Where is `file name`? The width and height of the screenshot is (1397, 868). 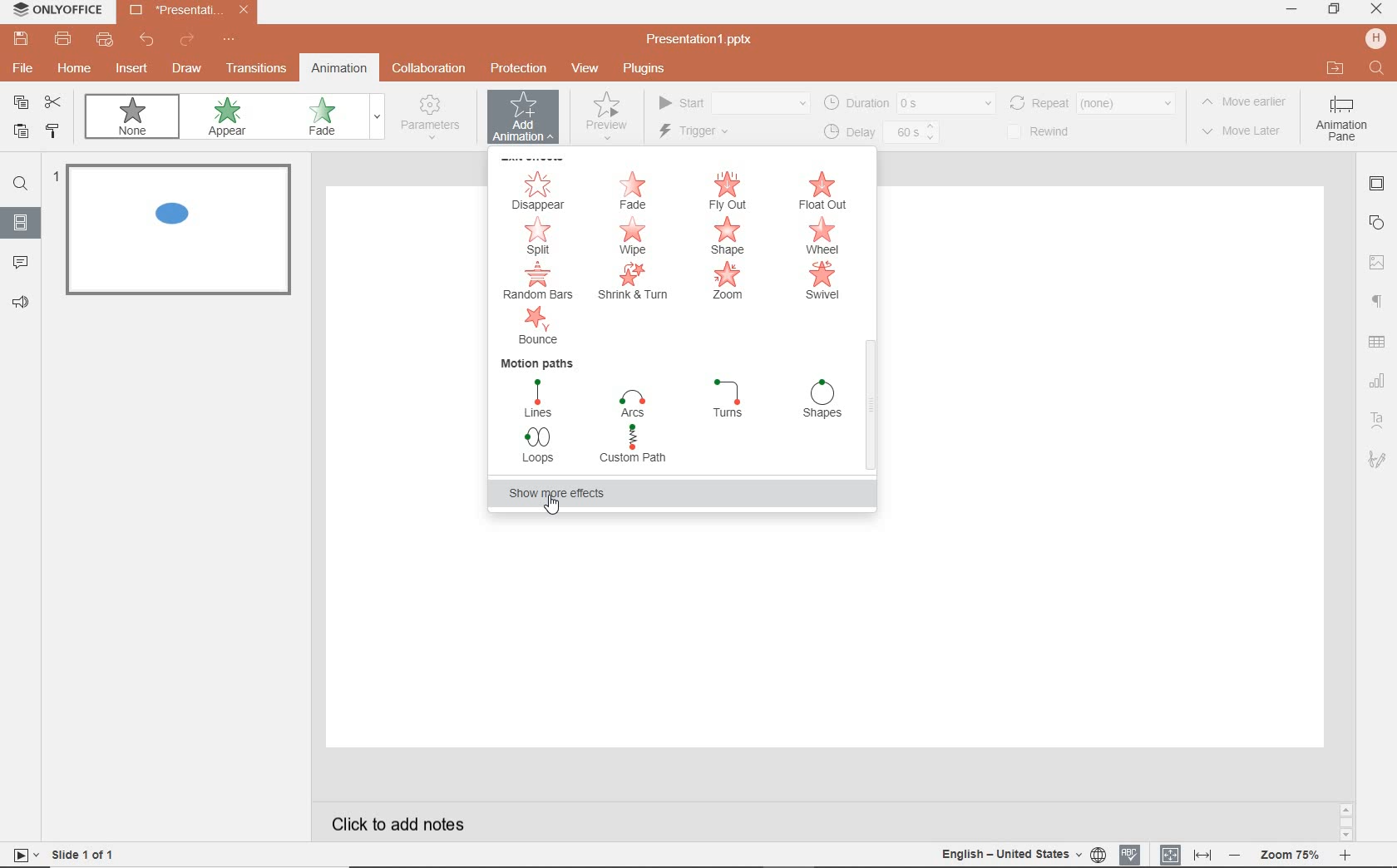
file name is located at coordinates (190, 12).